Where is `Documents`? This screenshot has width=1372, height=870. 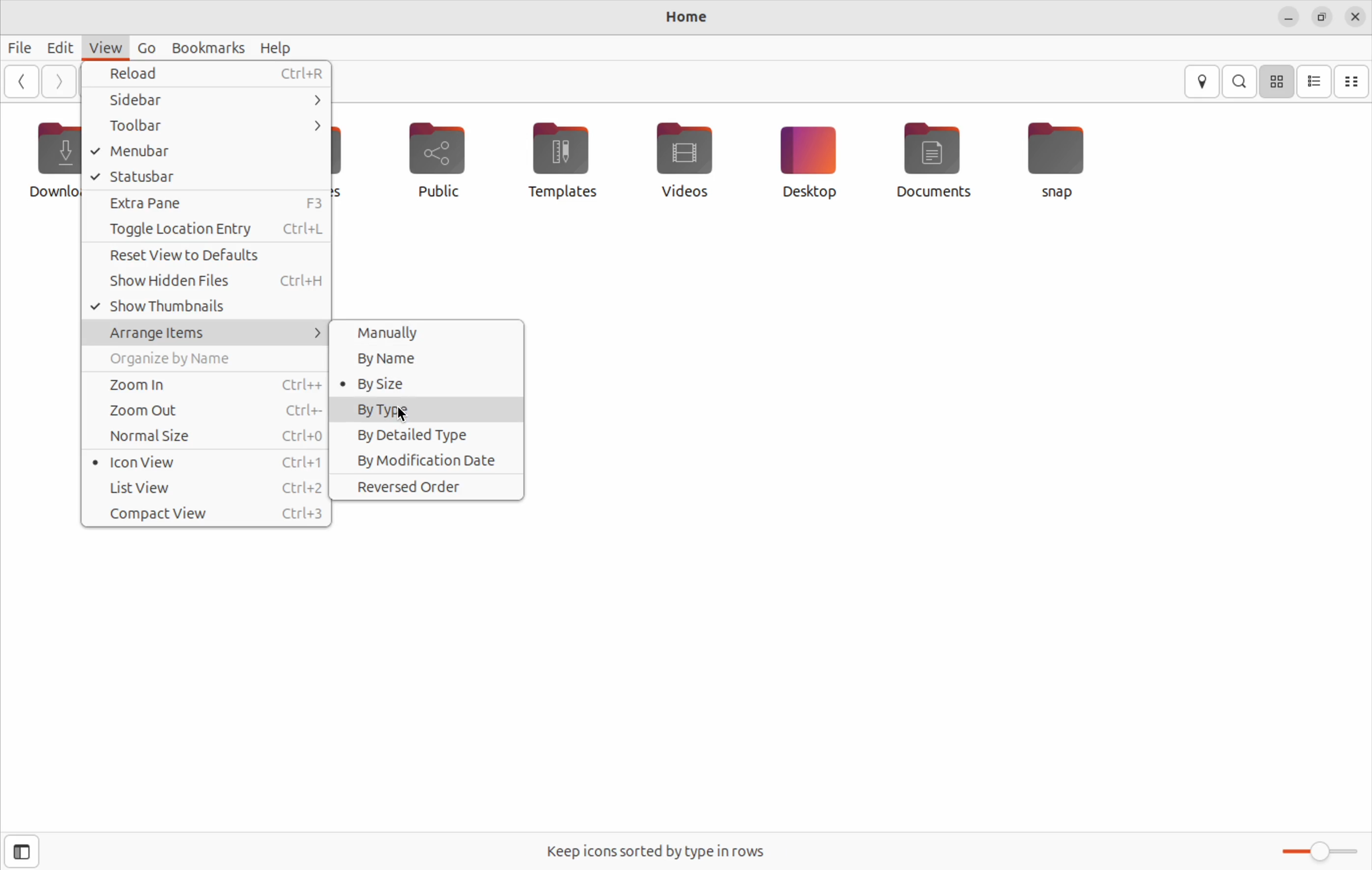 Documents is located at coordinates (933, 160).